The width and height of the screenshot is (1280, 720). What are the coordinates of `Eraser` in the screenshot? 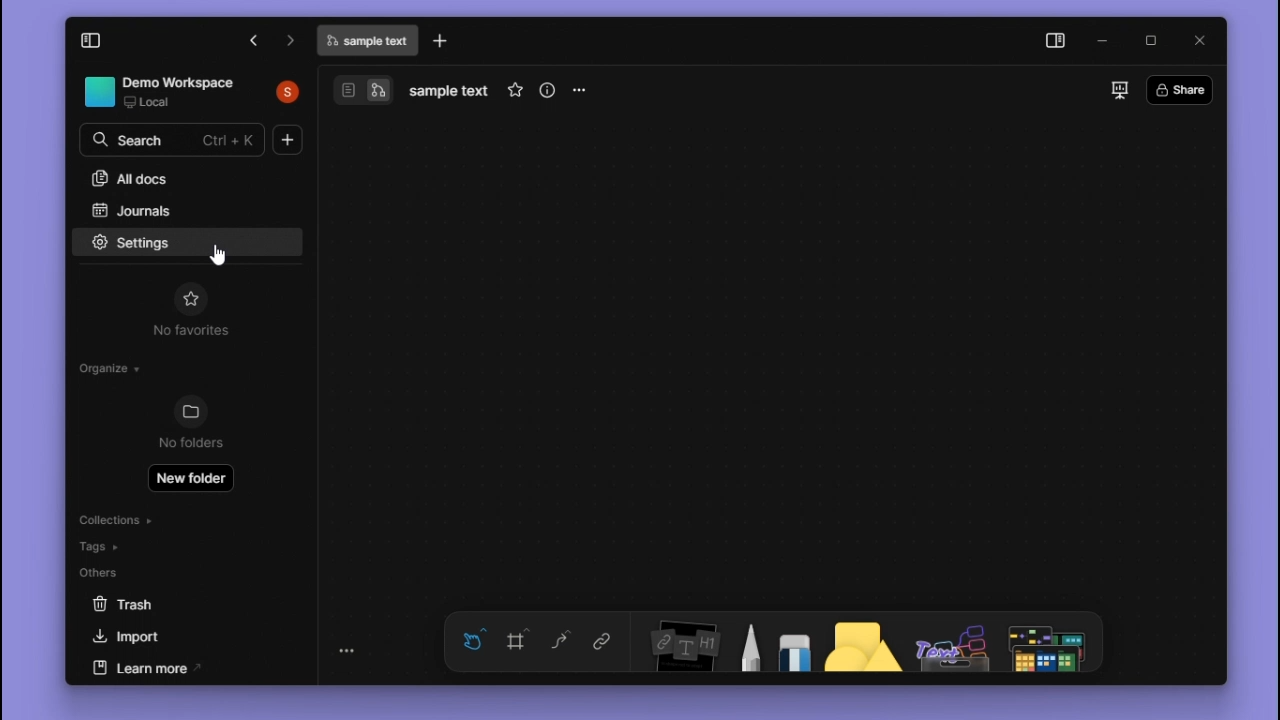 It's located at (792, 641).